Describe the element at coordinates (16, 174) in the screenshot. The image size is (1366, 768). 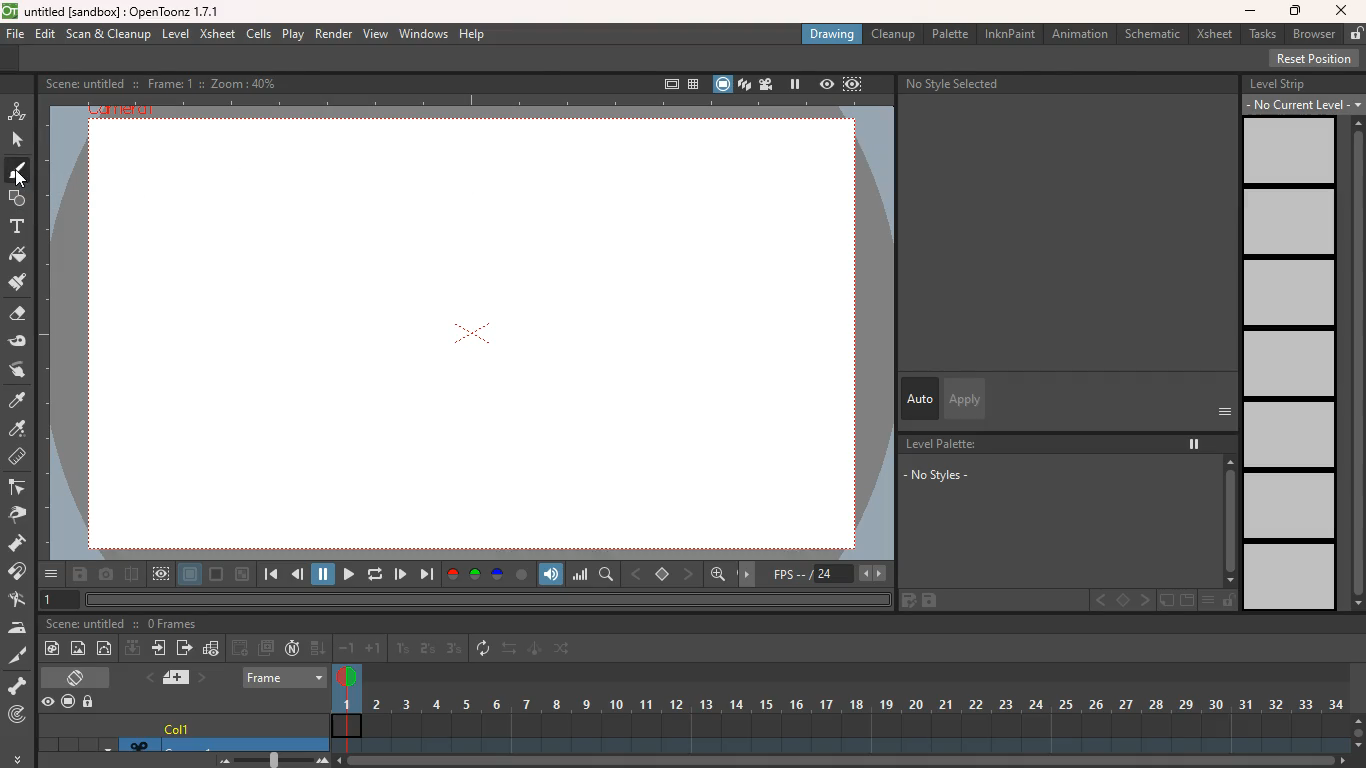
I see `brush` at that location.